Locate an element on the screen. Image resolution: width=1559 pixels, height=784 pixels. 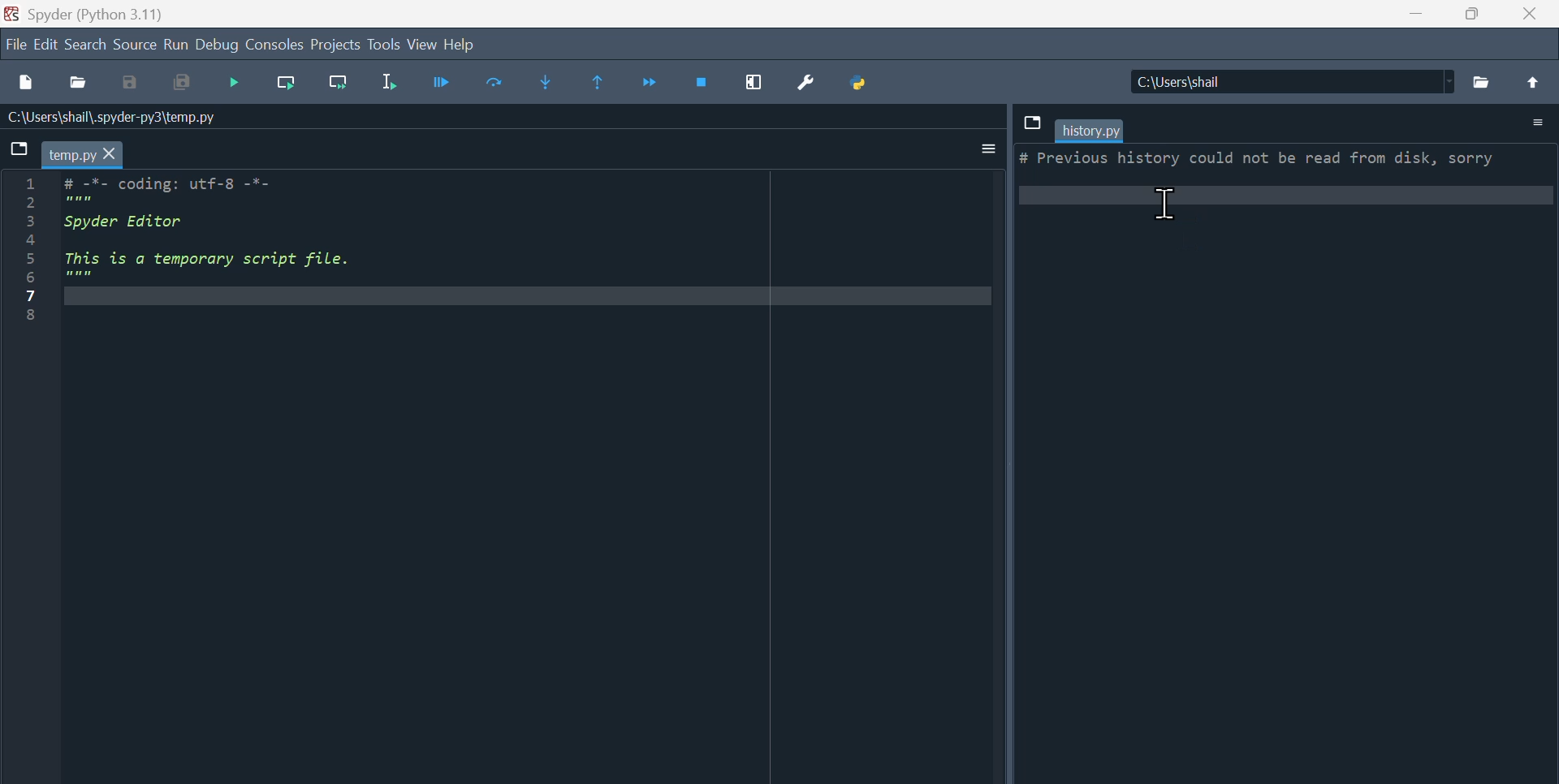
Debug file is located at coordinates (447, 81).